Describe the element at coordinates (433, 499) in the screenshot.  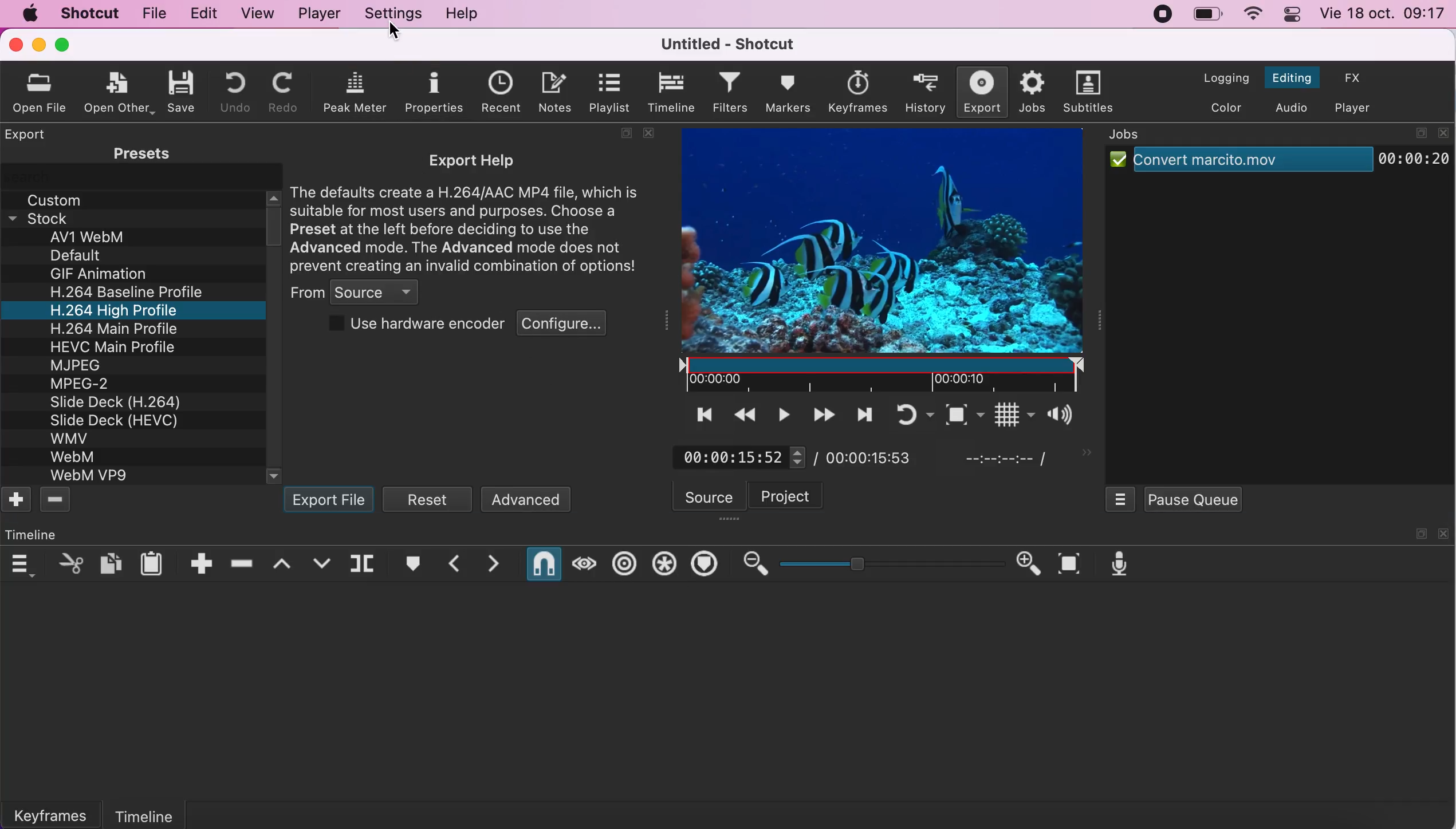
I see `reset` at that location.